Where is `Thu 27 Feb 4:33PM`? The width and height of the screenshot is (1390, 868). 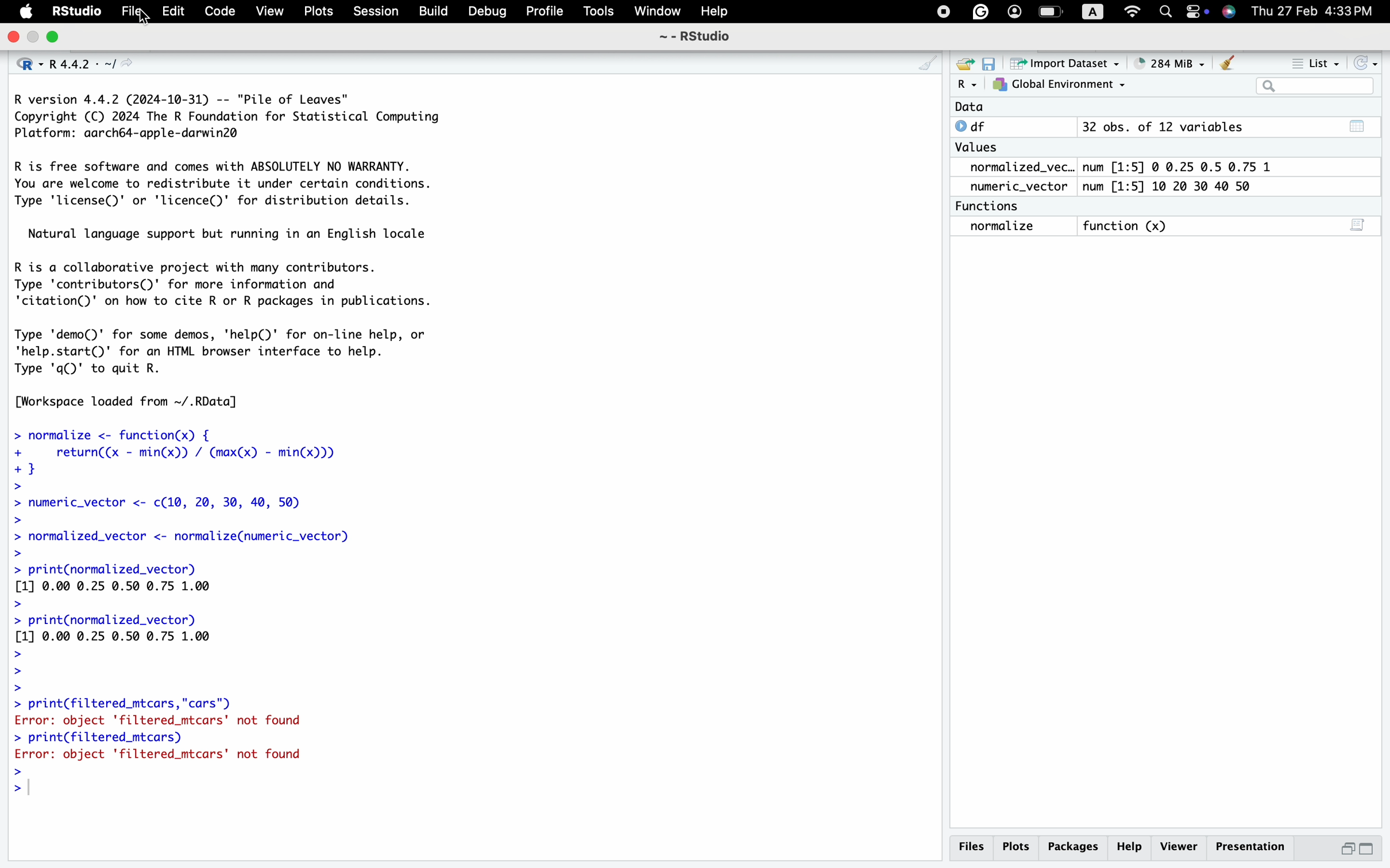
Thu 27 Feb 4:33PM is located at coordinates (1313, 12).